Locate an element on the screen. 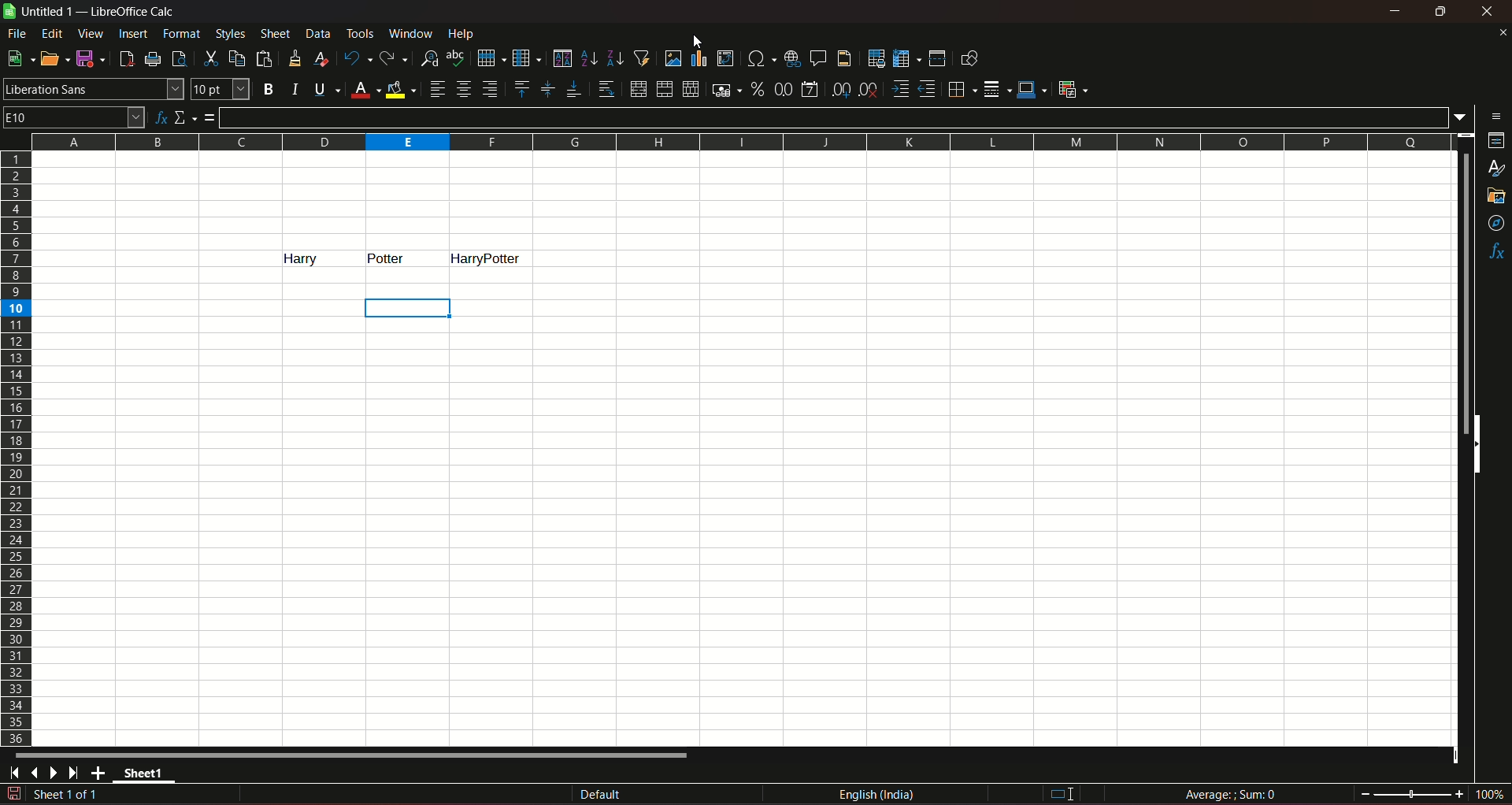  minimize is located at coordinates (1396, 11).